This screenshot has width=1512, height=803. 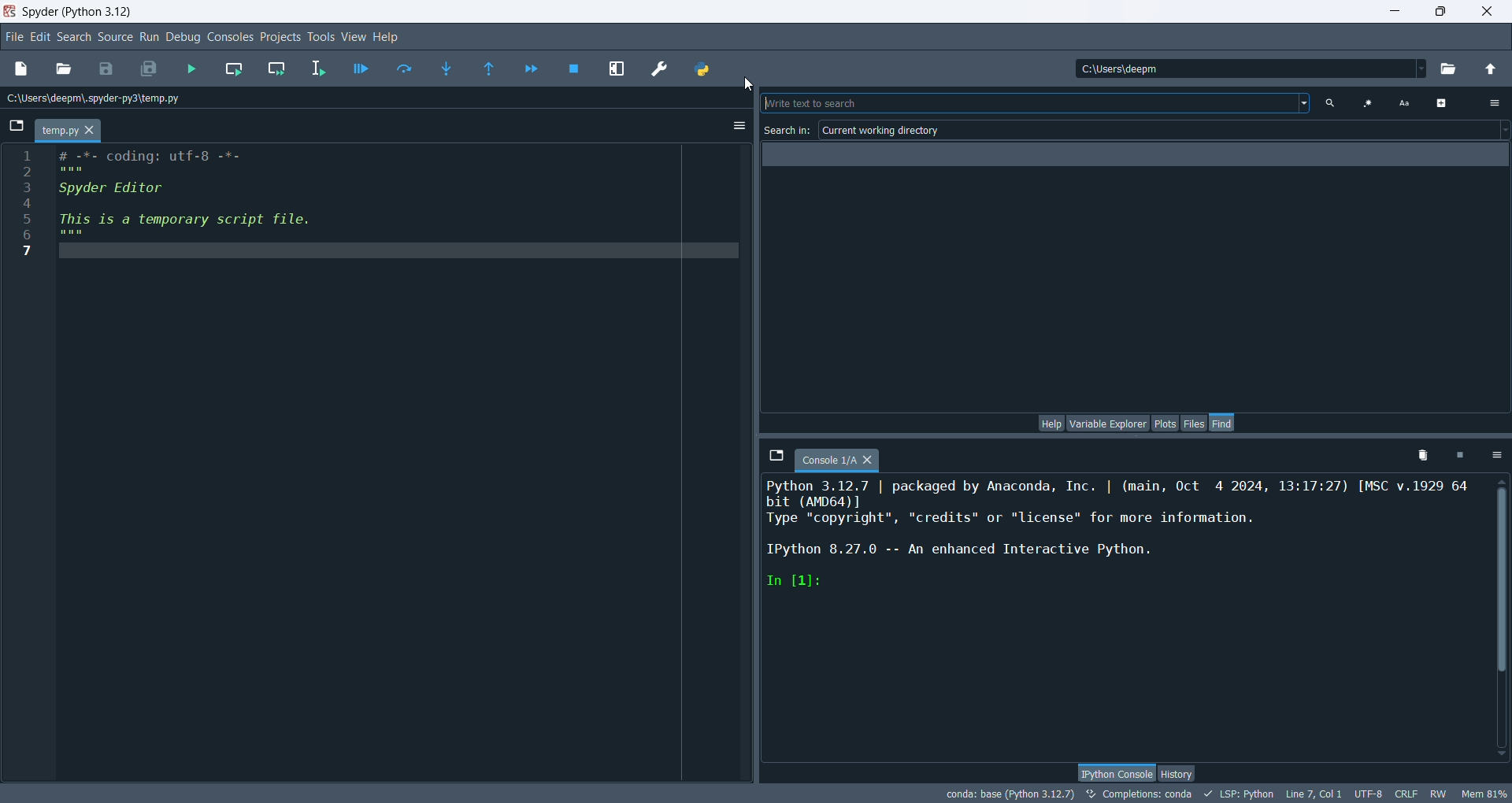 What do you see at coordinates (1369, 794) in the screenshot?
I see `UTF` at bounding box center [1369, 794].